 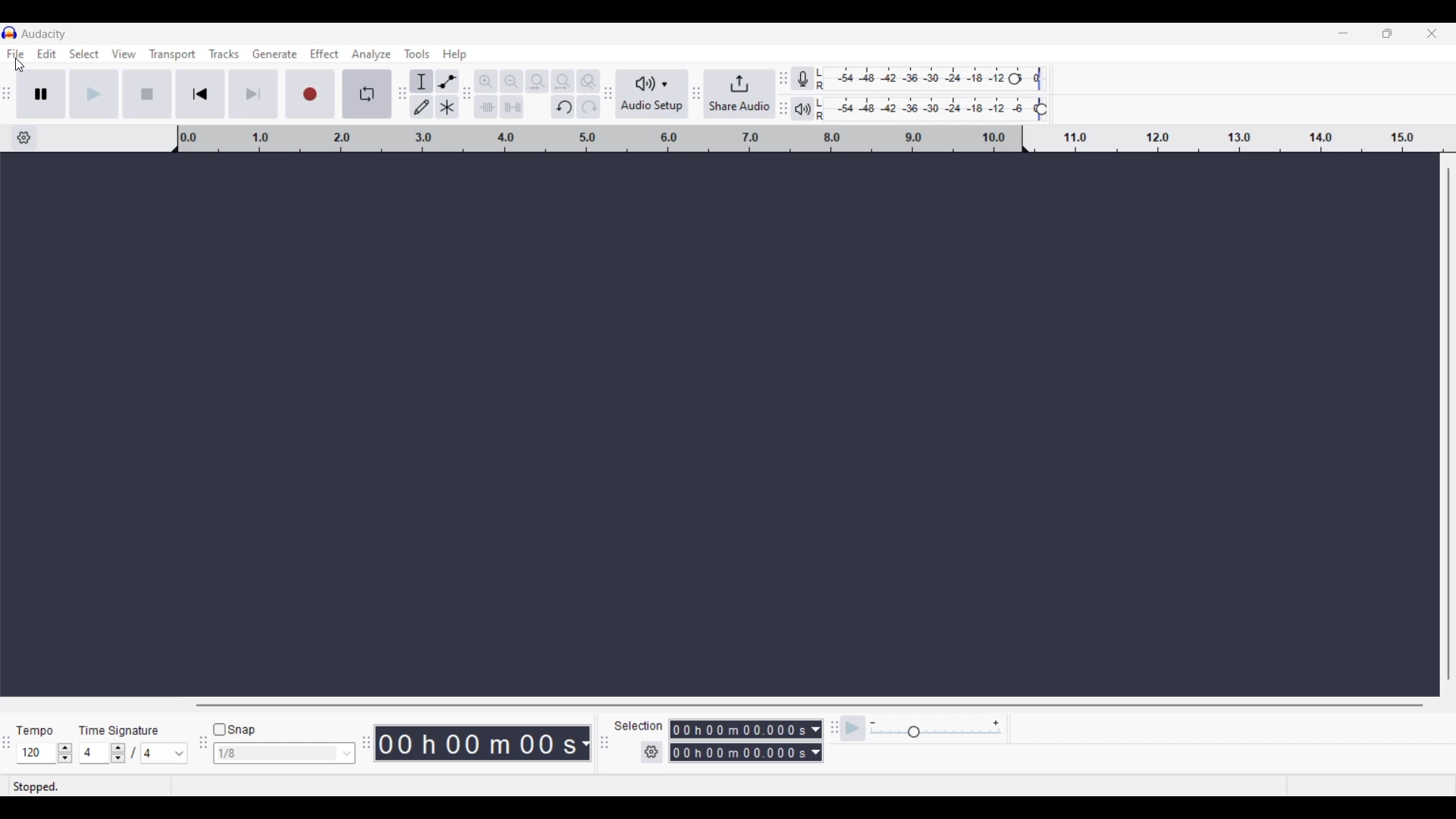 What do you see at coordinates (1387, 33) in the screenshot?
I see `Show interface in a smaller tab` at bounding box center [1387, 33].